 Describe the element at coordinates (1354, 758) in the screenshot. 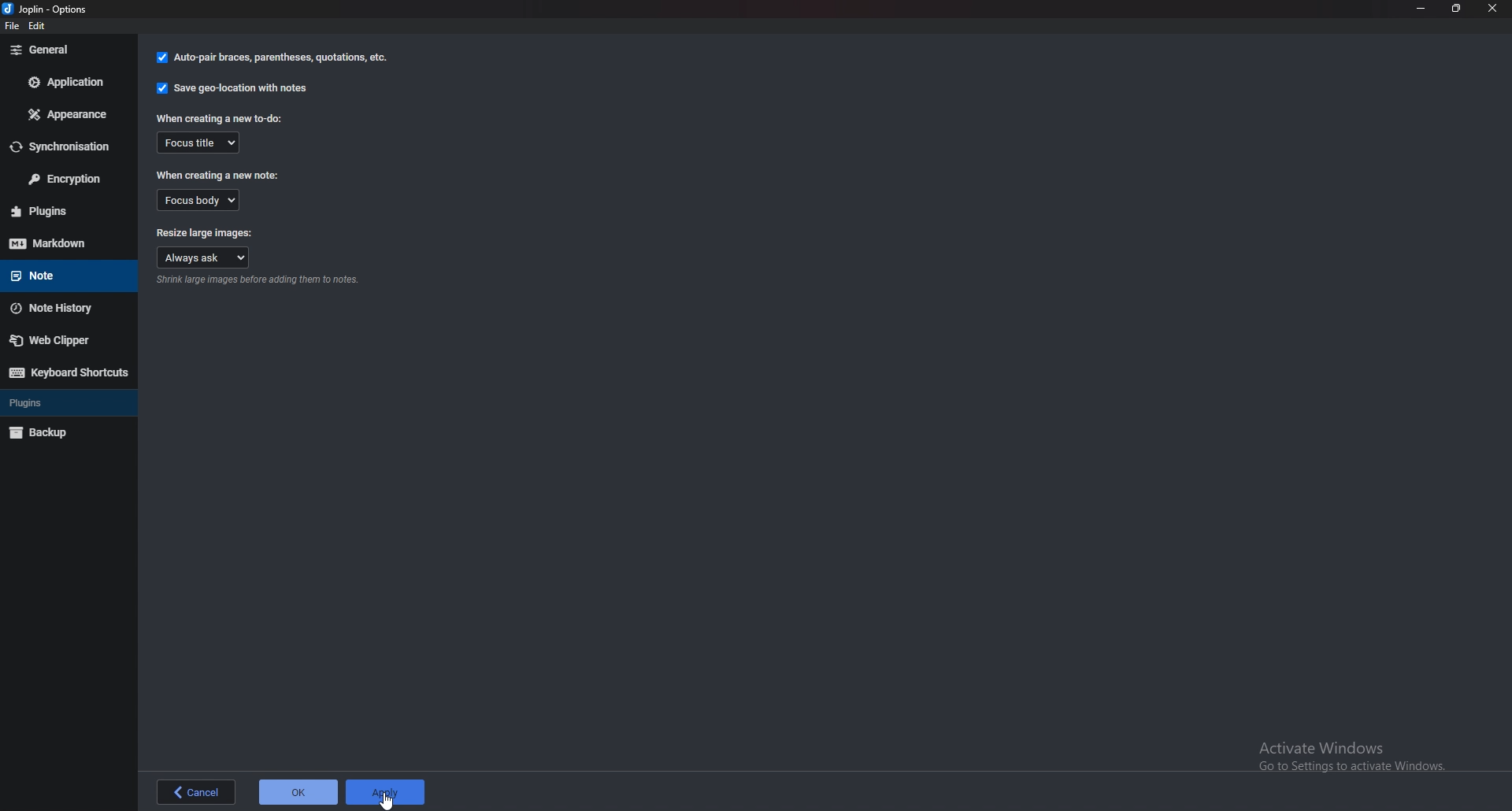

I see `Activate windows pop up` at that location.